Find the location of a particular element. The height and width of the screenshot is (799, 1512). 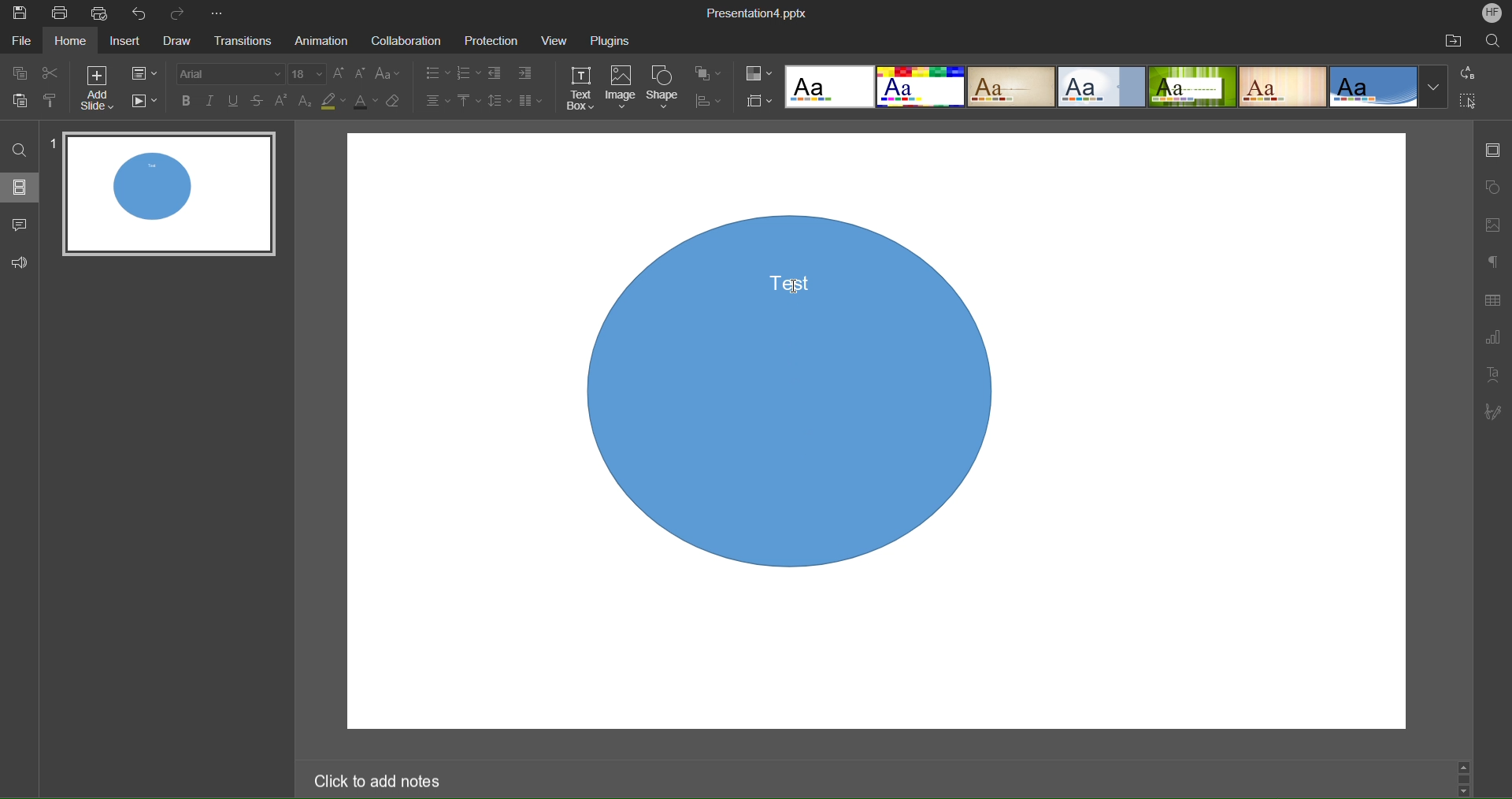

Slide 1 is located at coordinates (171, 196).